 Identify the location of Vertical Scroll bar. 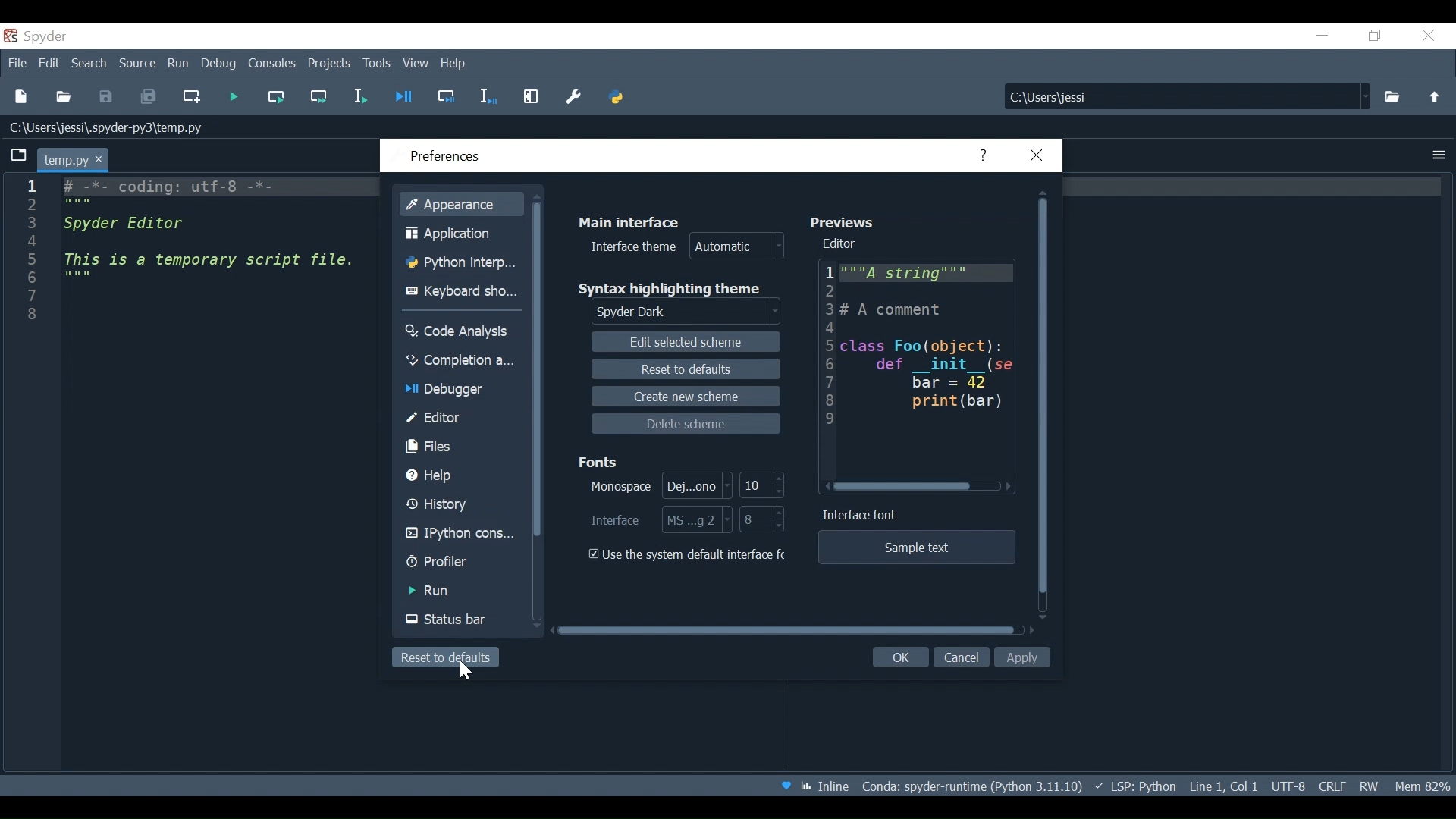
(1044, 398).